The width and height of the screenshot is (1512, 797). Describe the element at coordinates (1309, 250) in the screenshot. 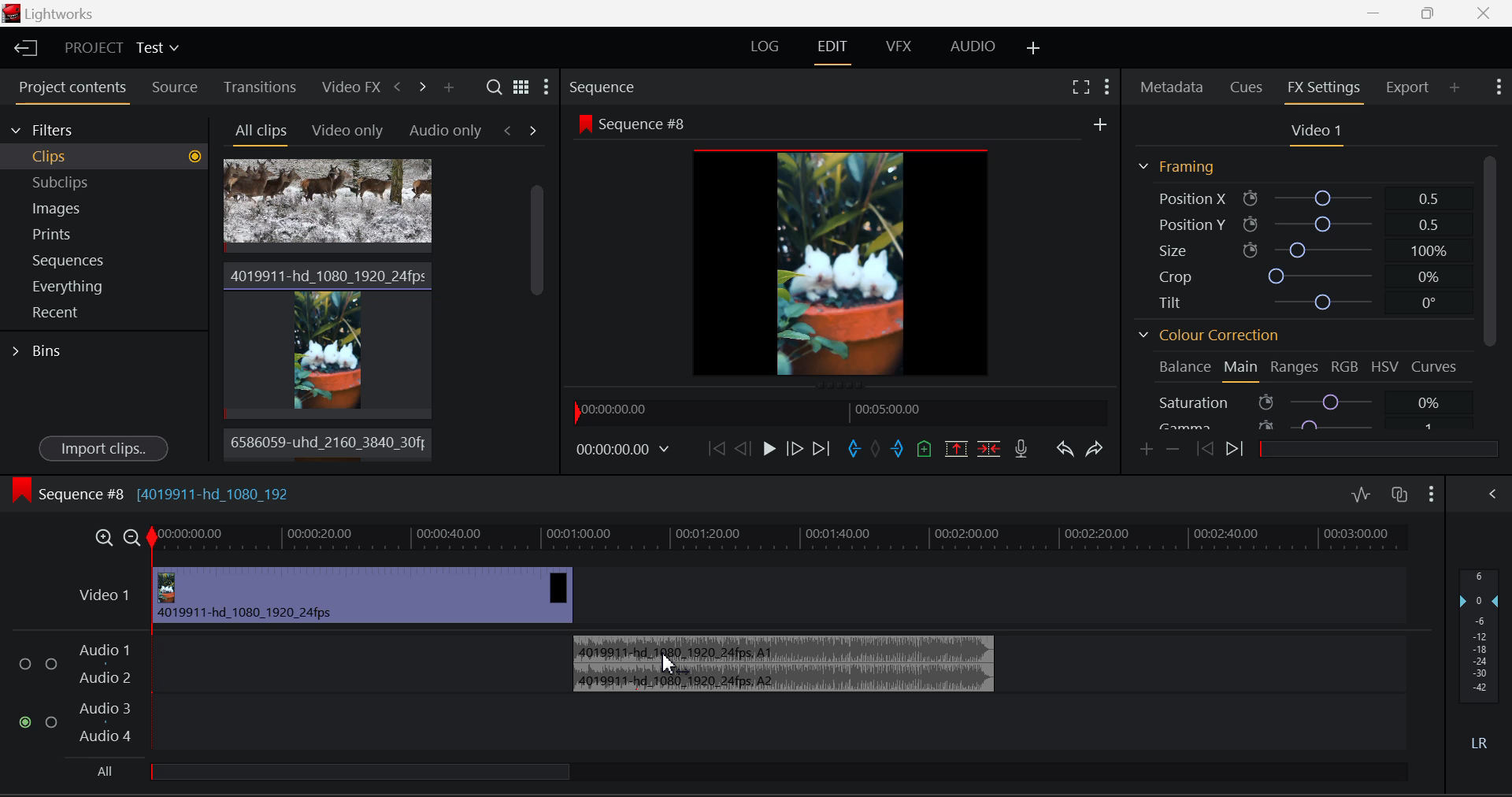

I see `Size` at that location.